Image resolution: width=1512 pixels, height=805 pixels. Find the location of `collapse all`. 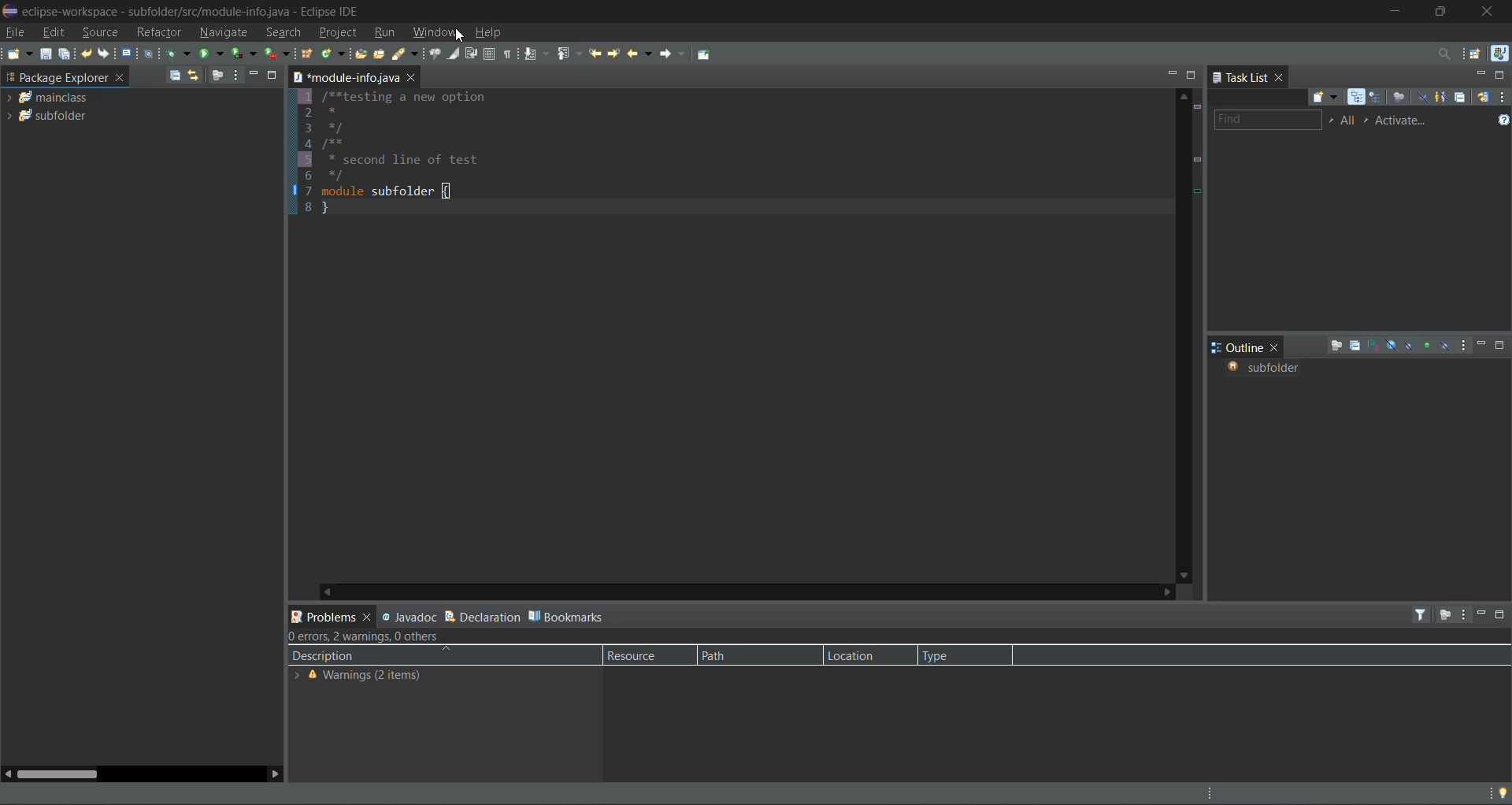

collapse all is located at coordinates (1355, 346).